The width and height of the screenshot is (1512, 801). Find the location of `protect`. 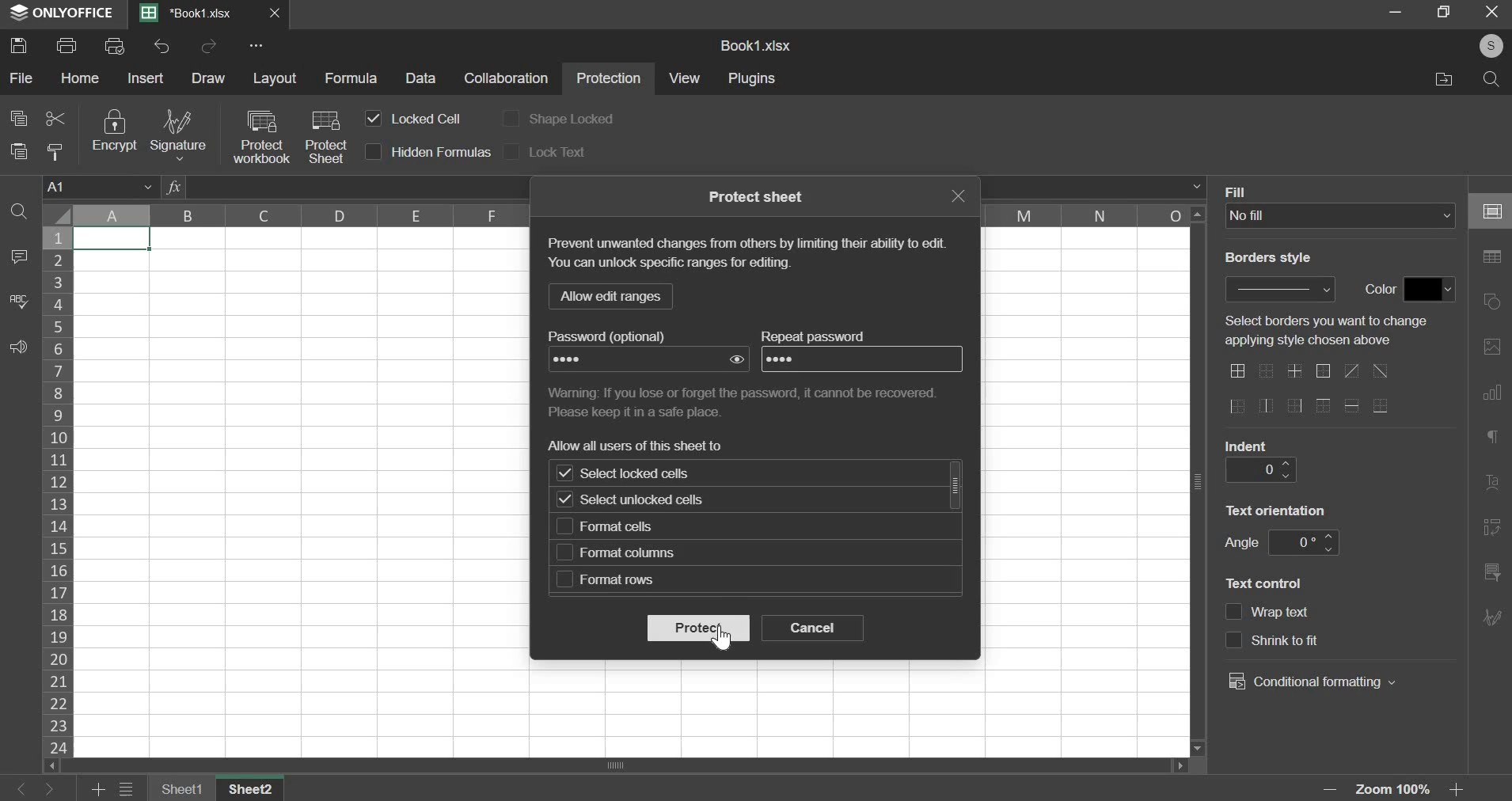

protect is located at coordinates (697, 628).